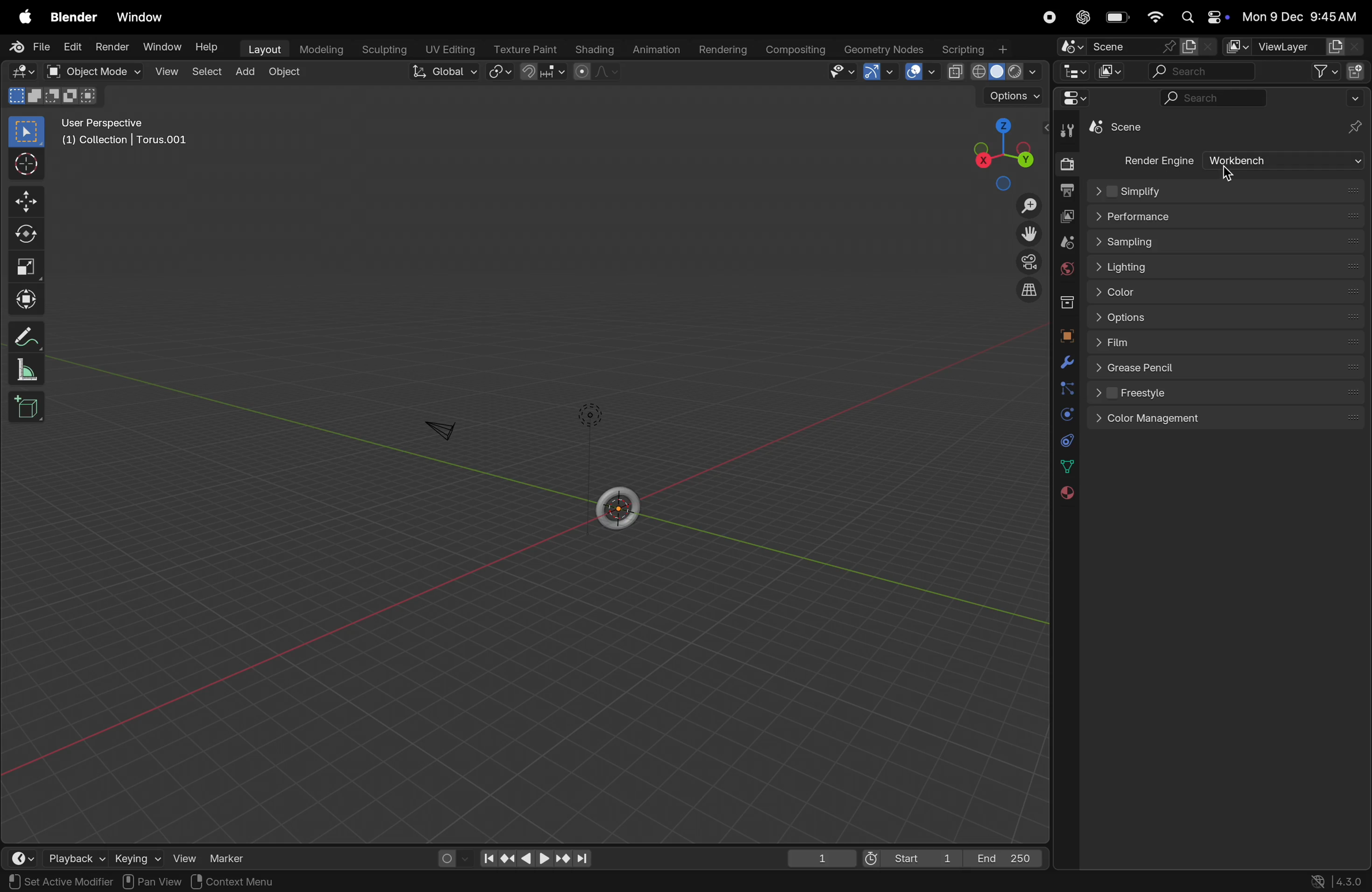  I want to click on Blender, so click(73, 17).